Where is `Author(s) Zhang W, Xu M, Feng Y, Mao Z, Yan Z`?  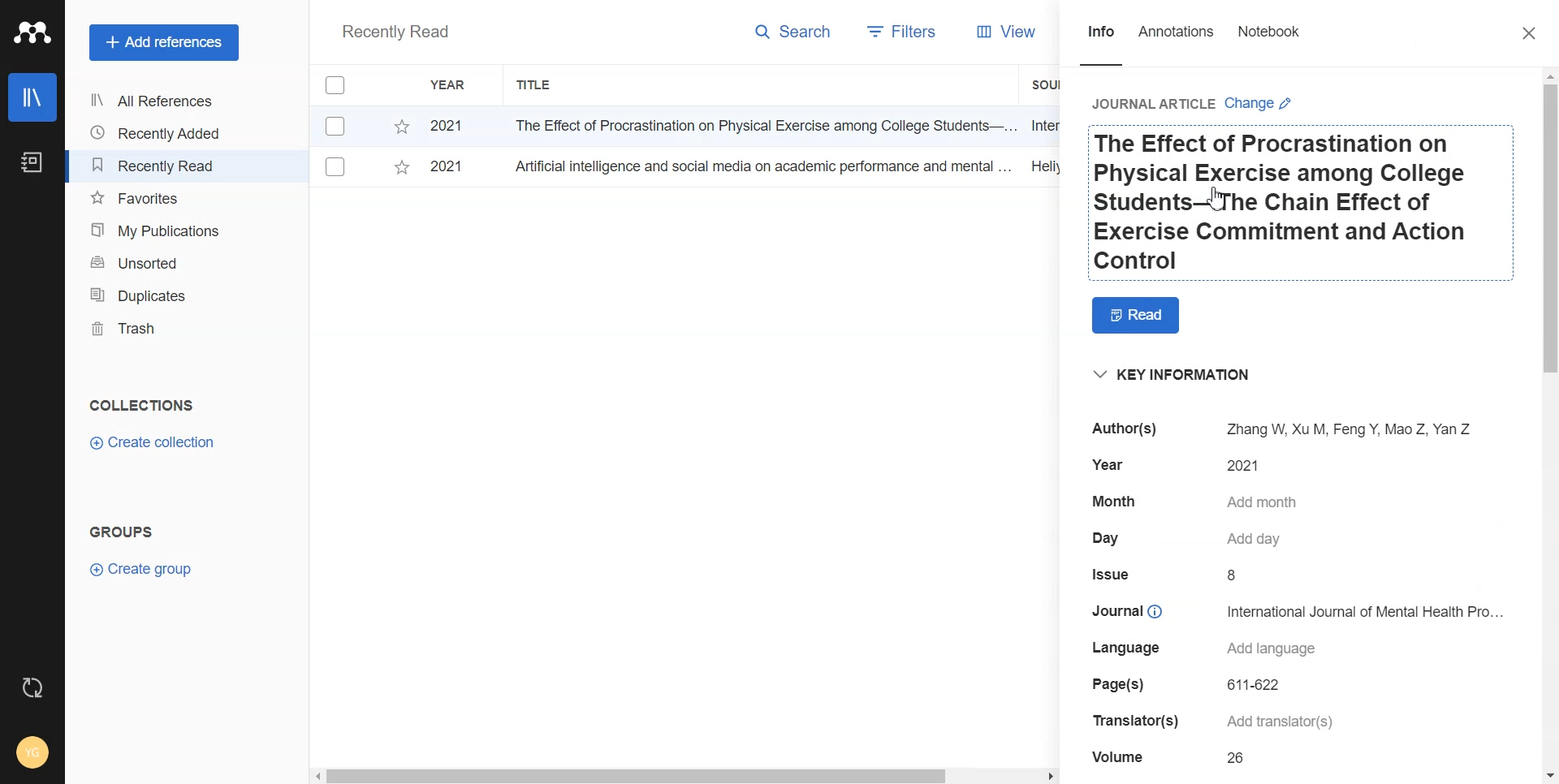
Author(s) Zhang W, Xu M, Feng Y, Mao Z, Yan Z is located at coordinates (1288, 429).